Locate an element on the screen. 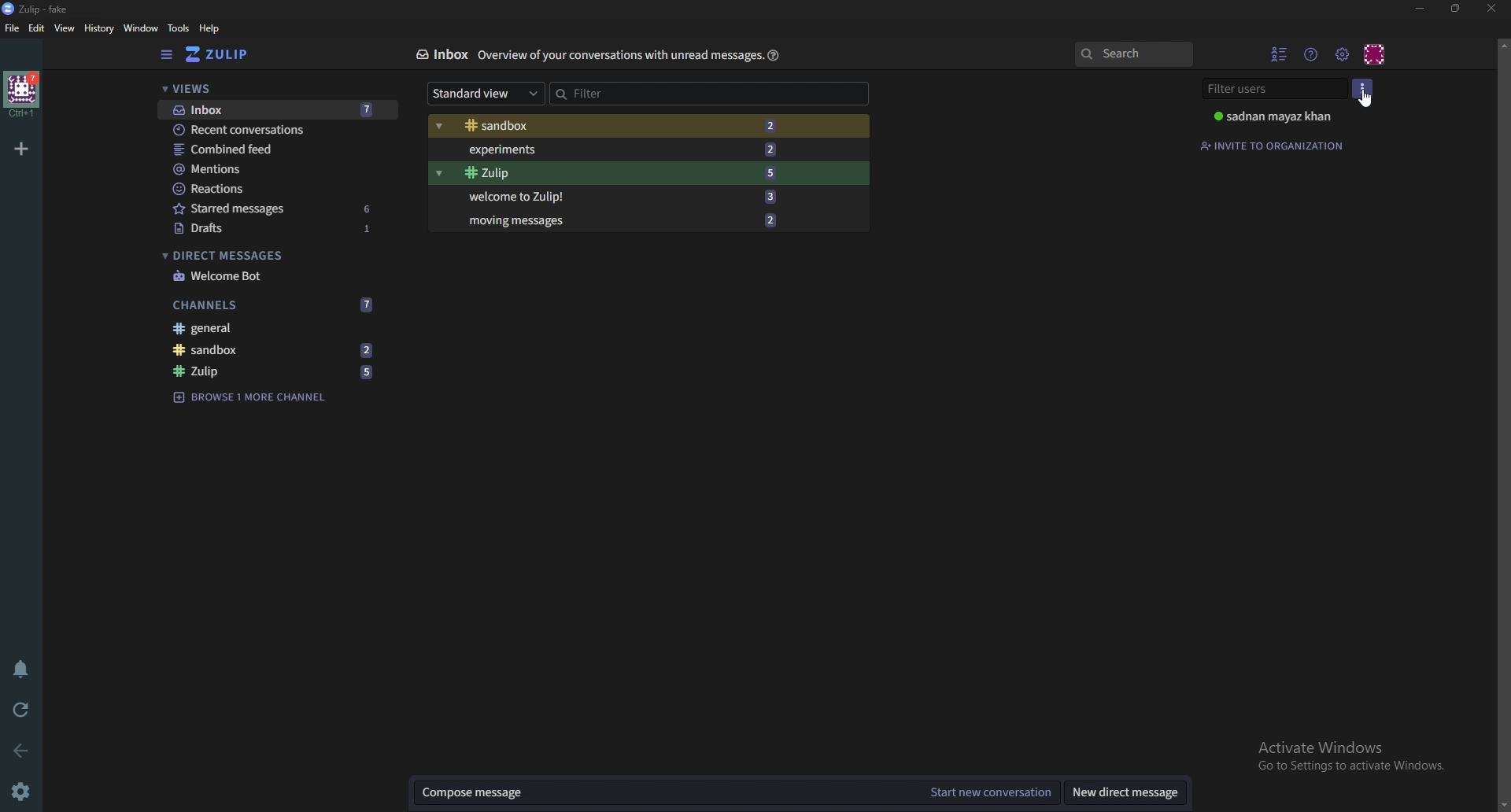 The image size is (1511, 812). Hide sidebar is located at coordinates (168, 56).